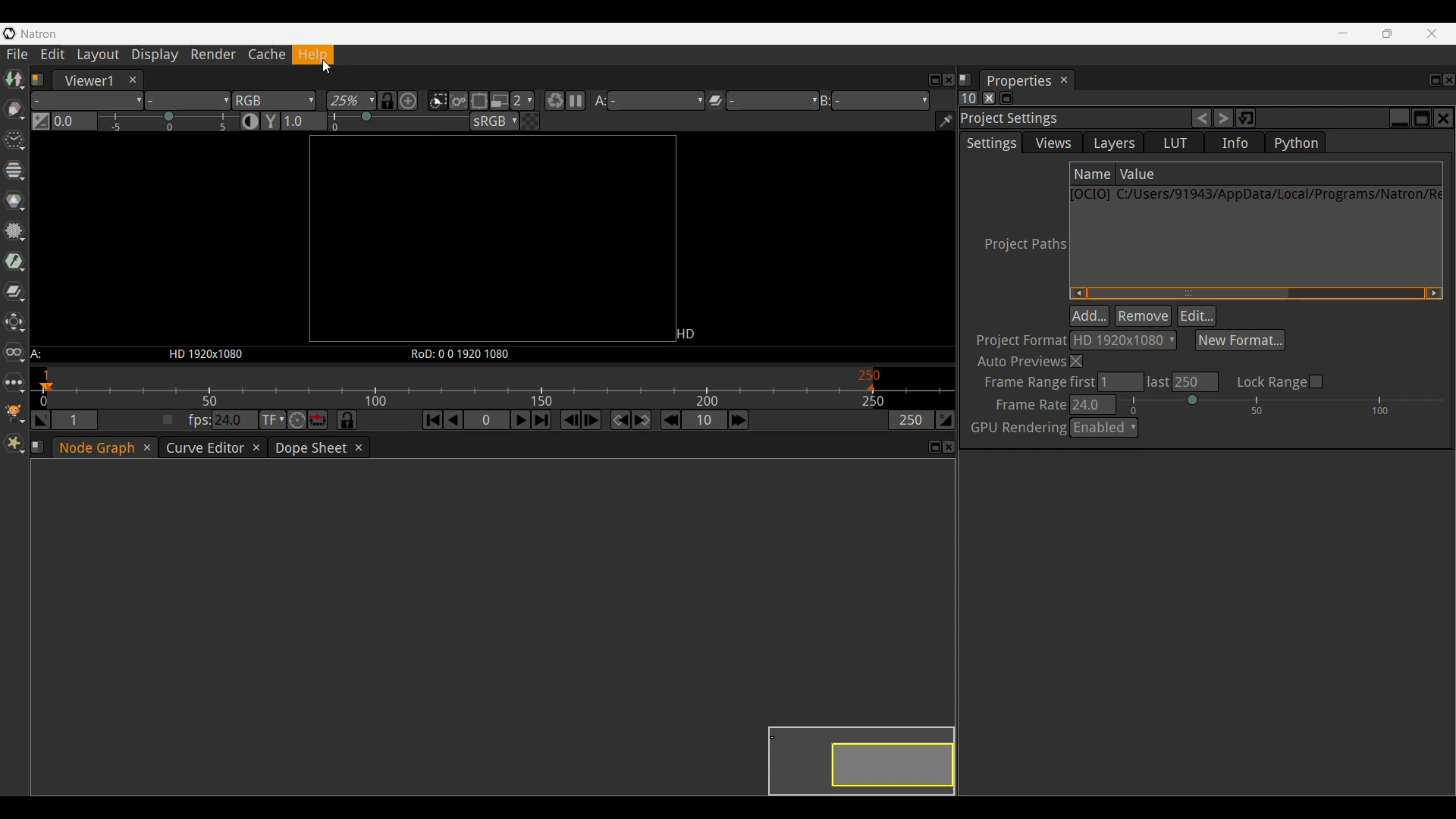 The height and width of the screenshot is (819, 1456). What do you see at coordinates (1078, 293) in the screenshot?
I see `Quick slide to left` at bounding box center [1078, 293].